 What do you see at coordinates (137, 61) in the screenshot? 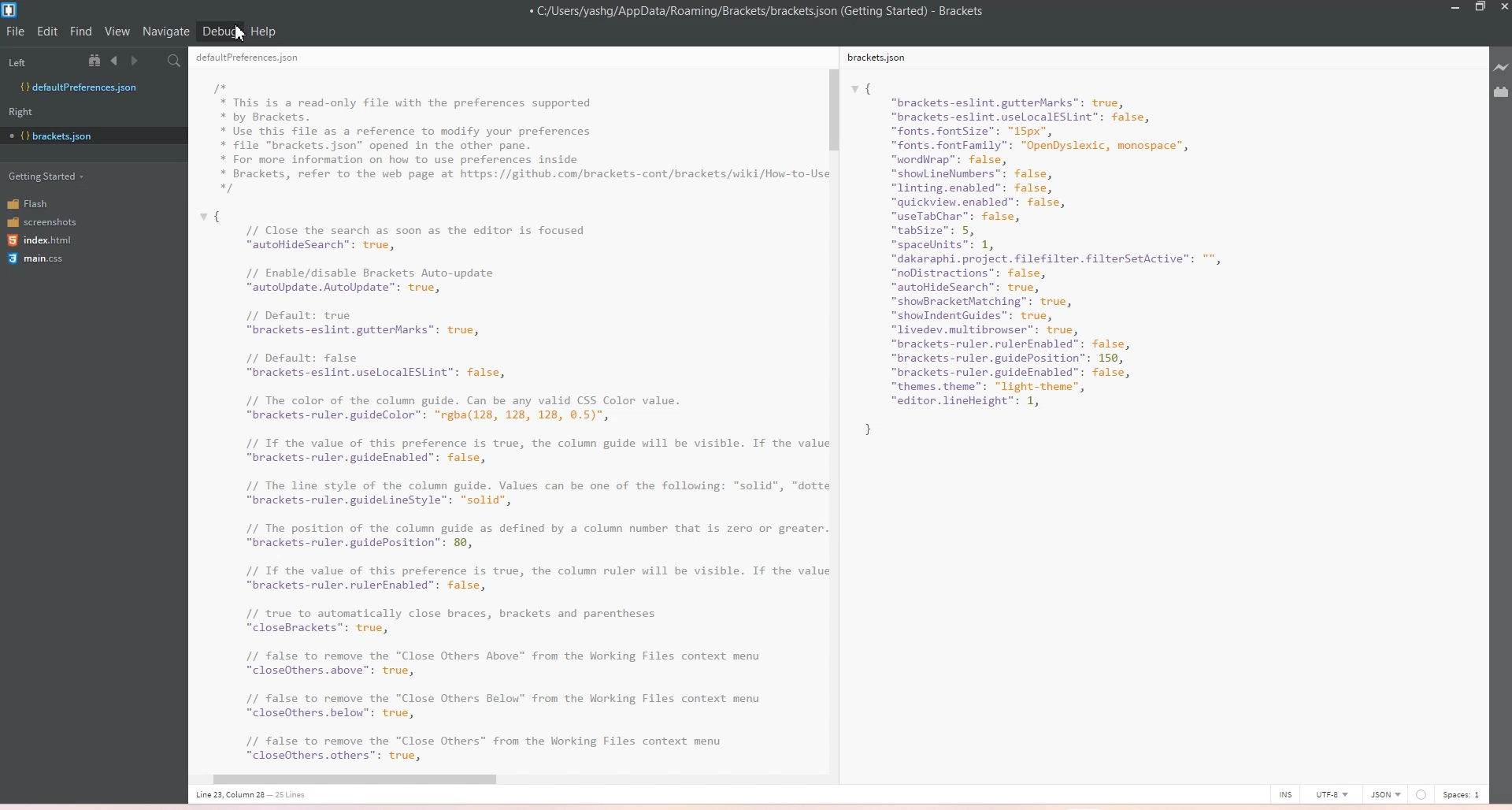
I see `Navigate Forwards` at bounding box center [137, 61].